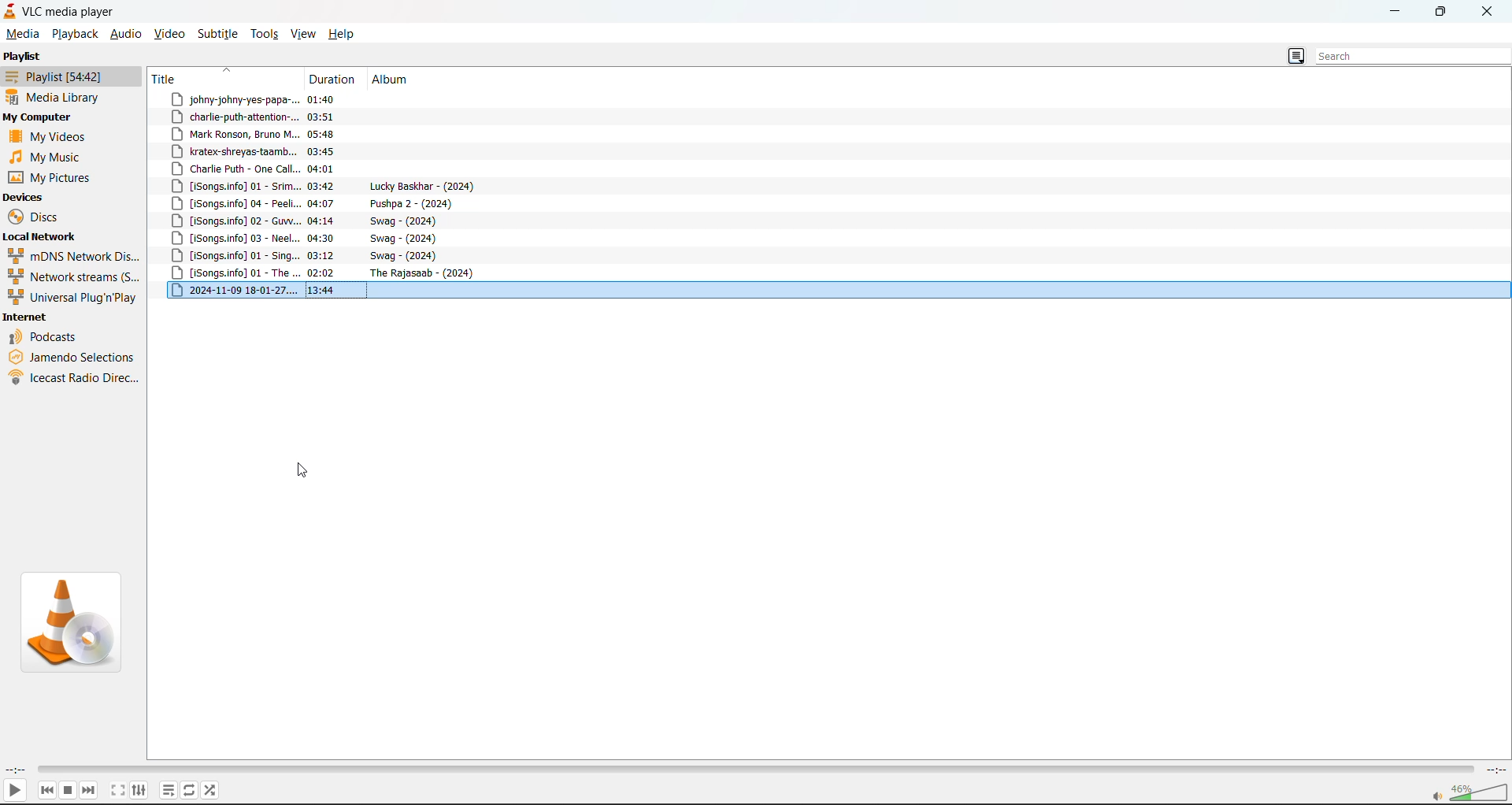 This screenshot has width=1512, height=805. Describe the element at coordinates (72, 378) in the screenshot. I see `icecast` at that location.